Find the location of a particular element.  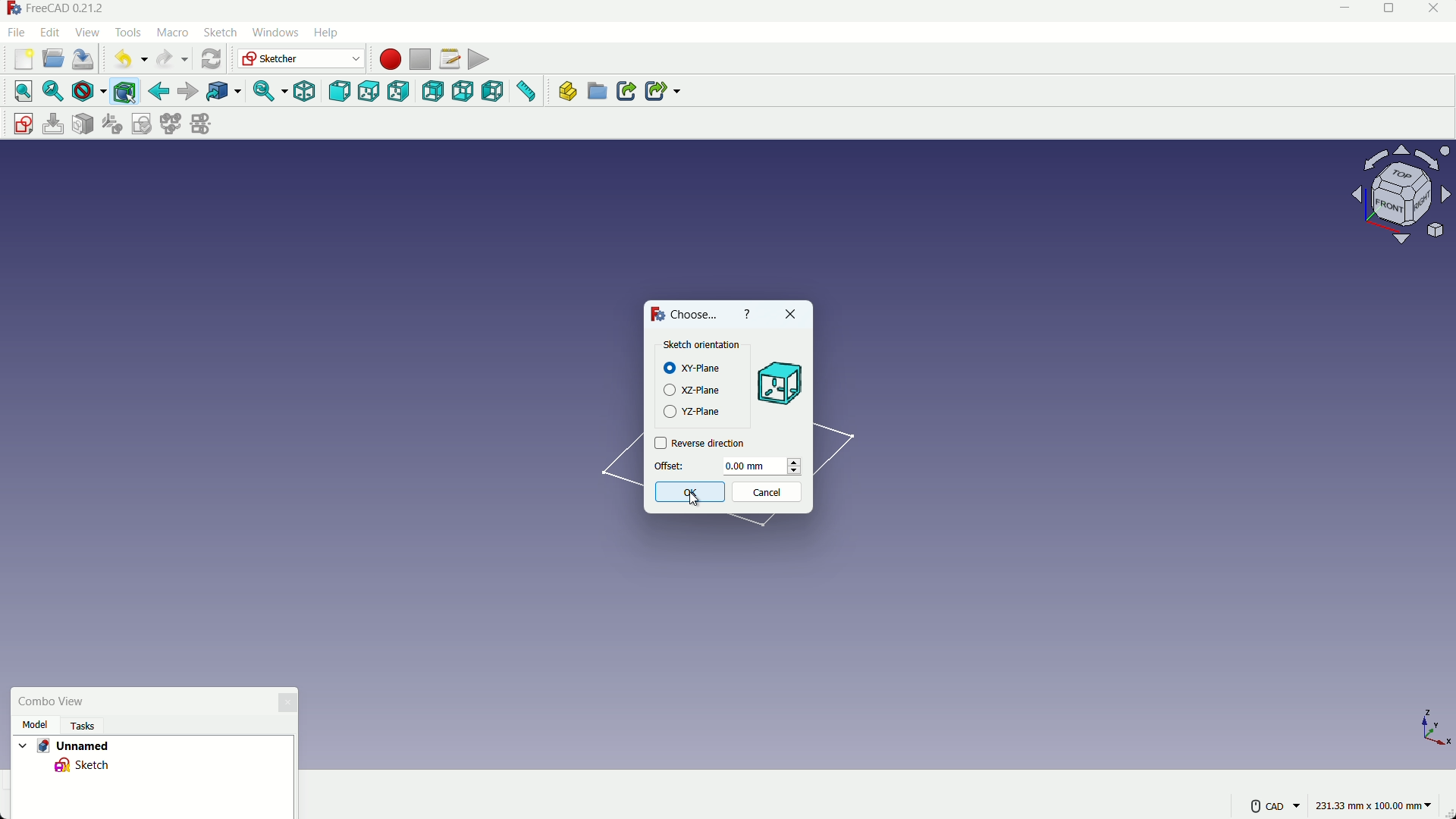

right view is located at coordinates (400, 92).